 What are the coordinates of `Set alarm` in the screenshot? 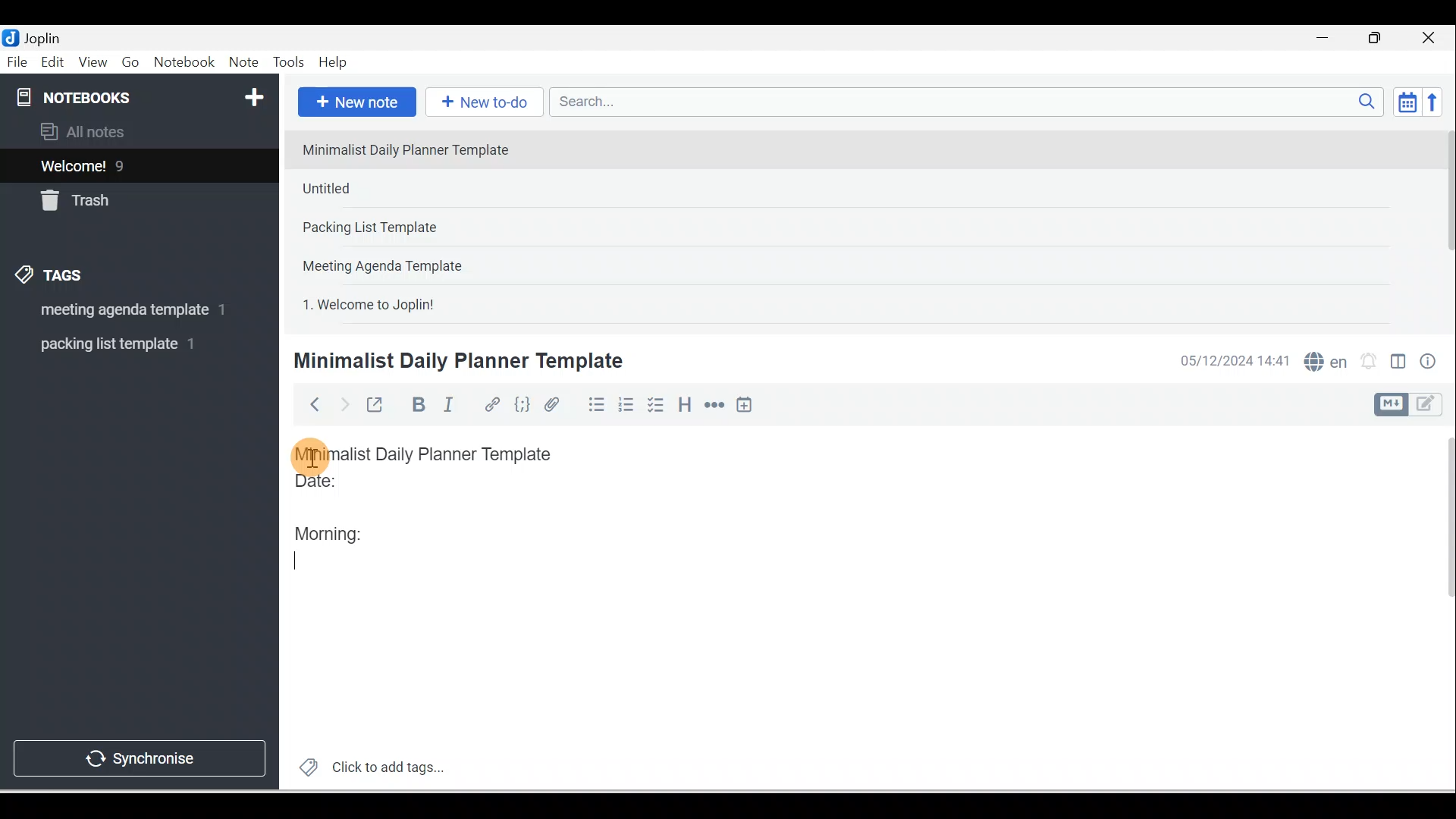 It's located at (1367, 362).